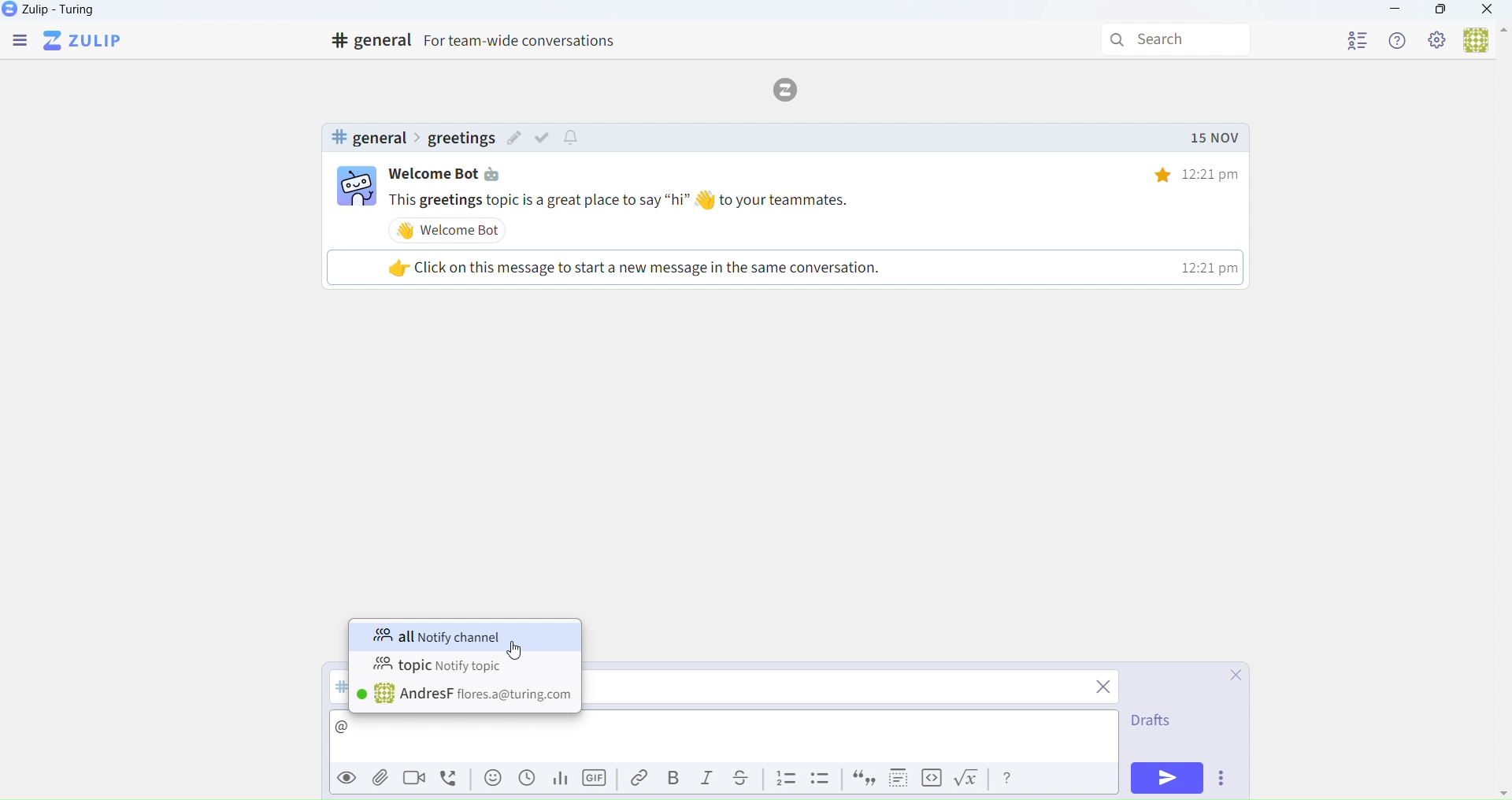 The width and height of the screenshot is (1512, 800). I want to click on user, so click(466, 695).